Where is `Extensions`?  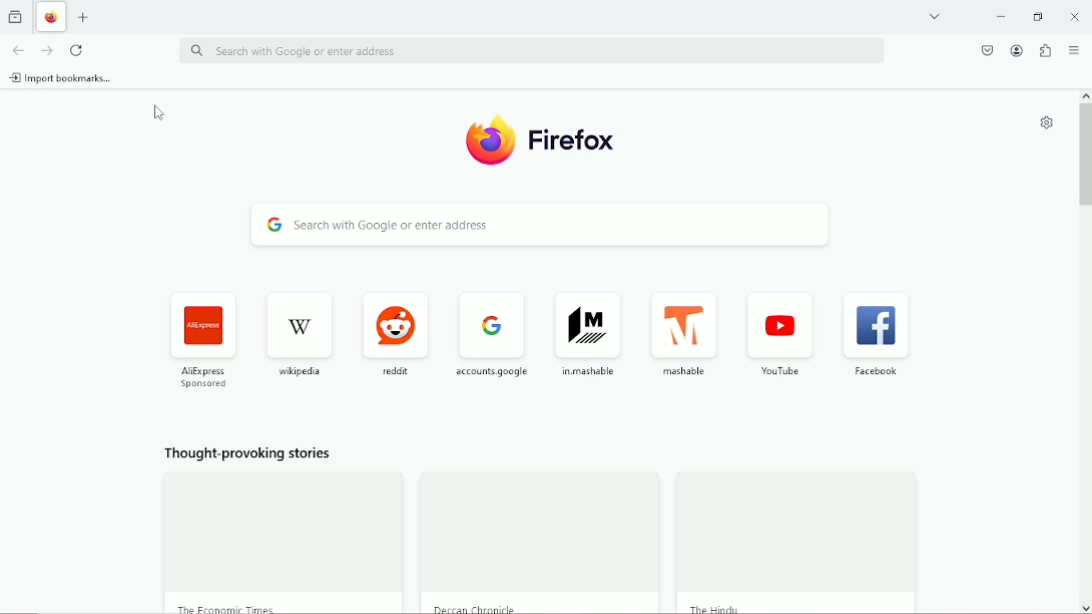
Extensions is located at coordinates (1045, 52).